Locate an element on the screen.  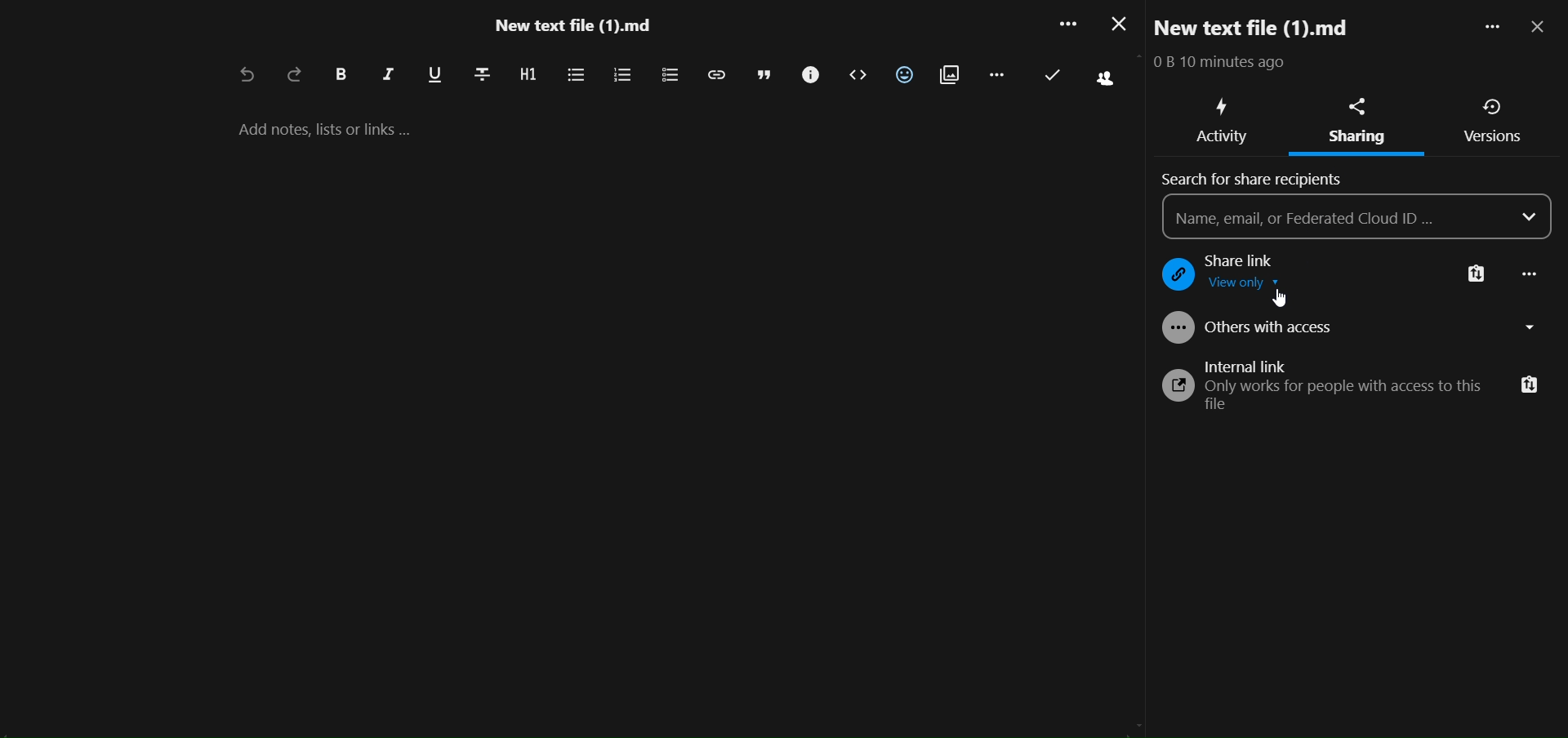
bold is located at coordinates (340, 75).